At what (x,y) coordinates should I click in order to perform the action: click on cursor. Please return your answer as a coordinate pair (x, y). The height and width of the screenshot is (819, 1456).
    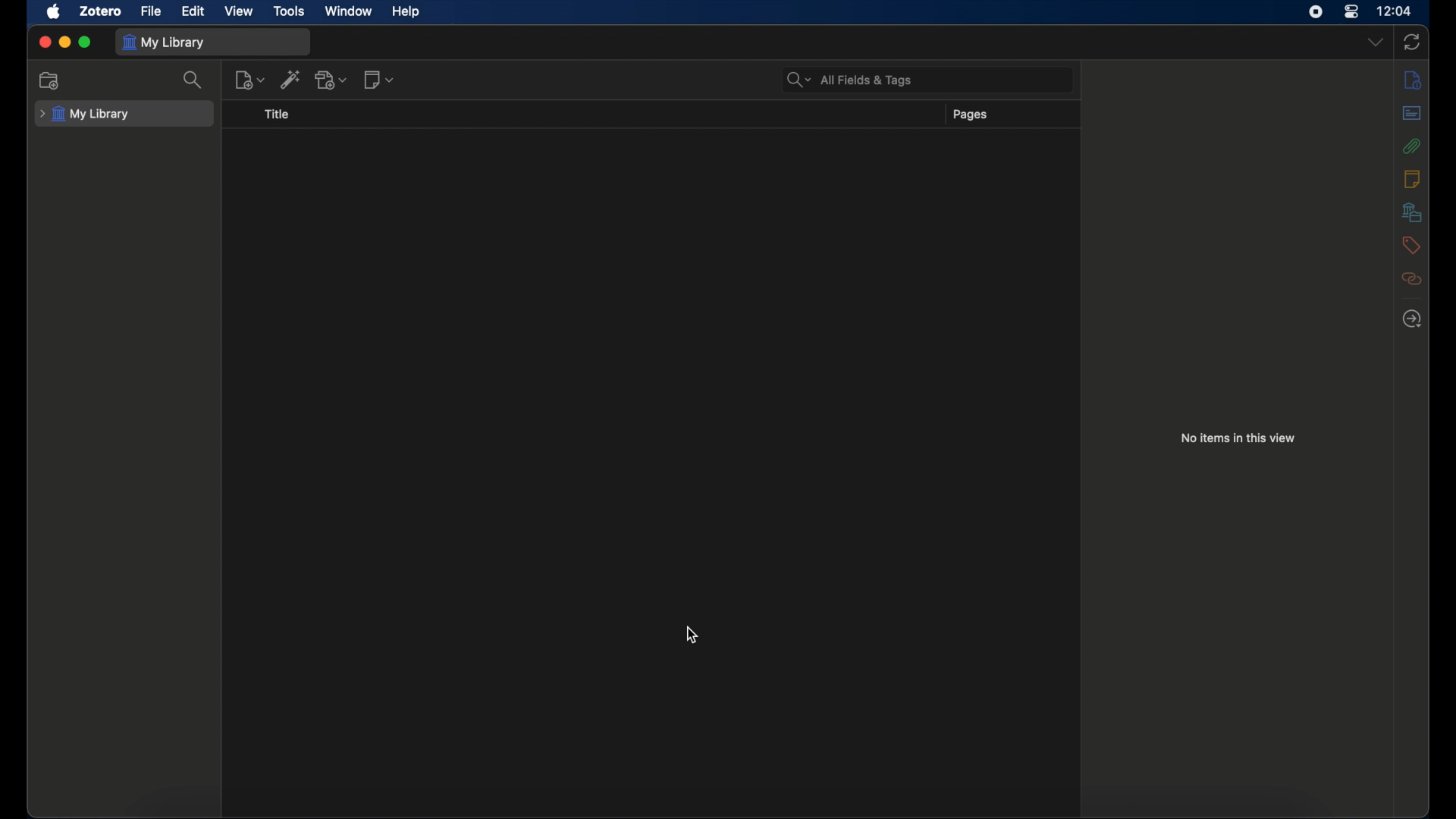
    Looking at the image, I should click on (692, 635).